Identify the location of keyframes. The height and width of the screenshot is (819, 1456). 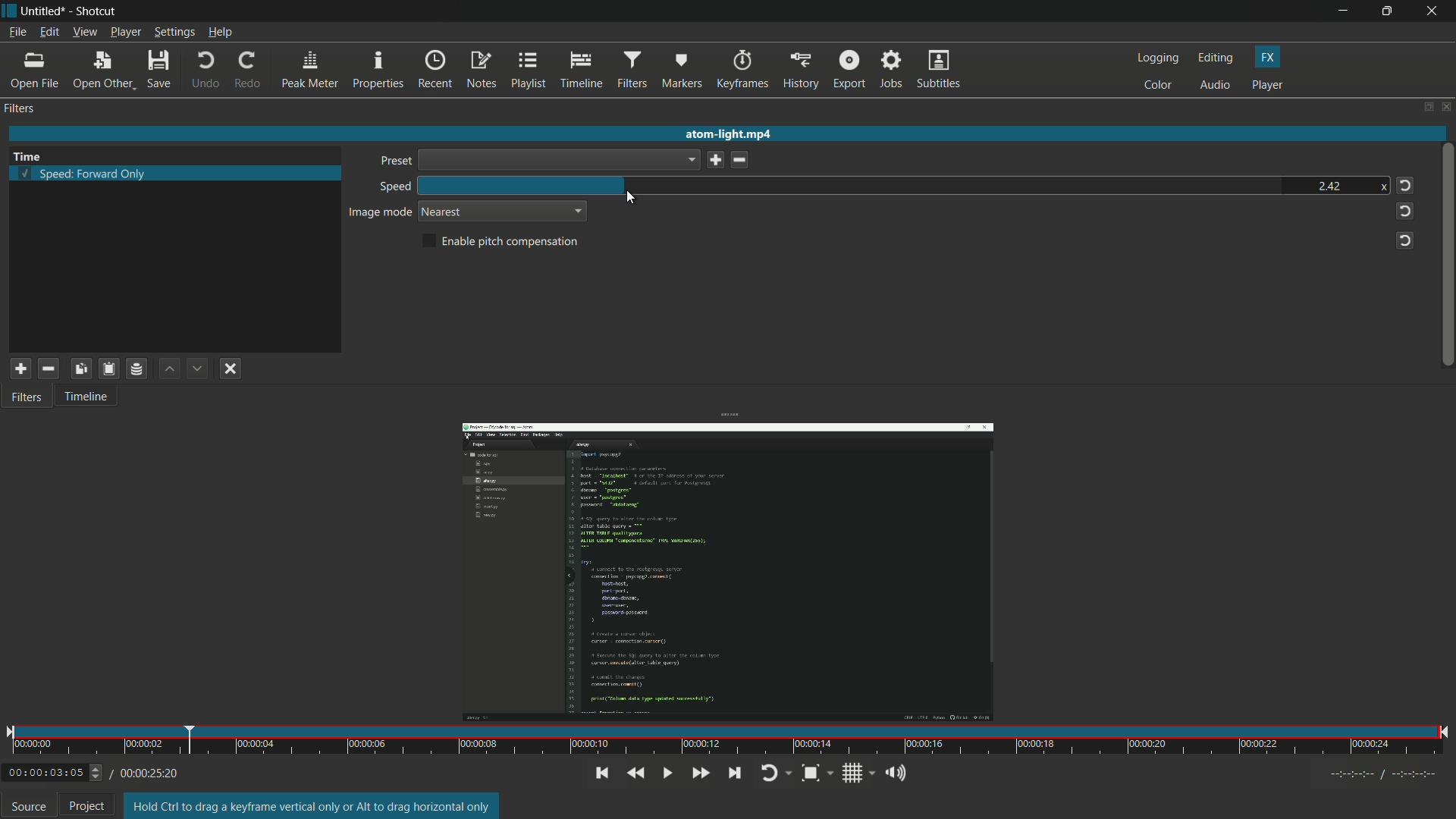
(743, 69).